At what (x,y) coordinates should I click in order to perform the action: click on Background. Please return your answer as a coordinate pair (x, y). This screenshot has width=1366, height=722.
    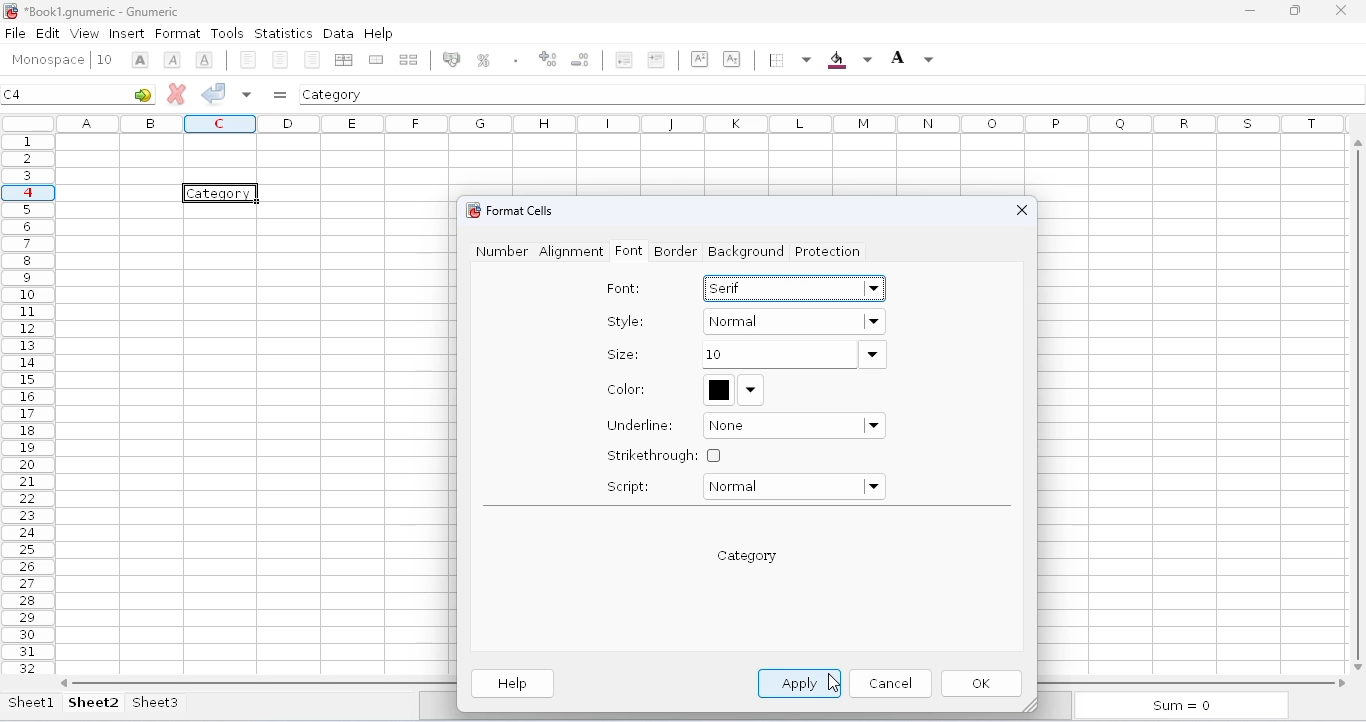
    Looking at the image, I should click on (743, 253).